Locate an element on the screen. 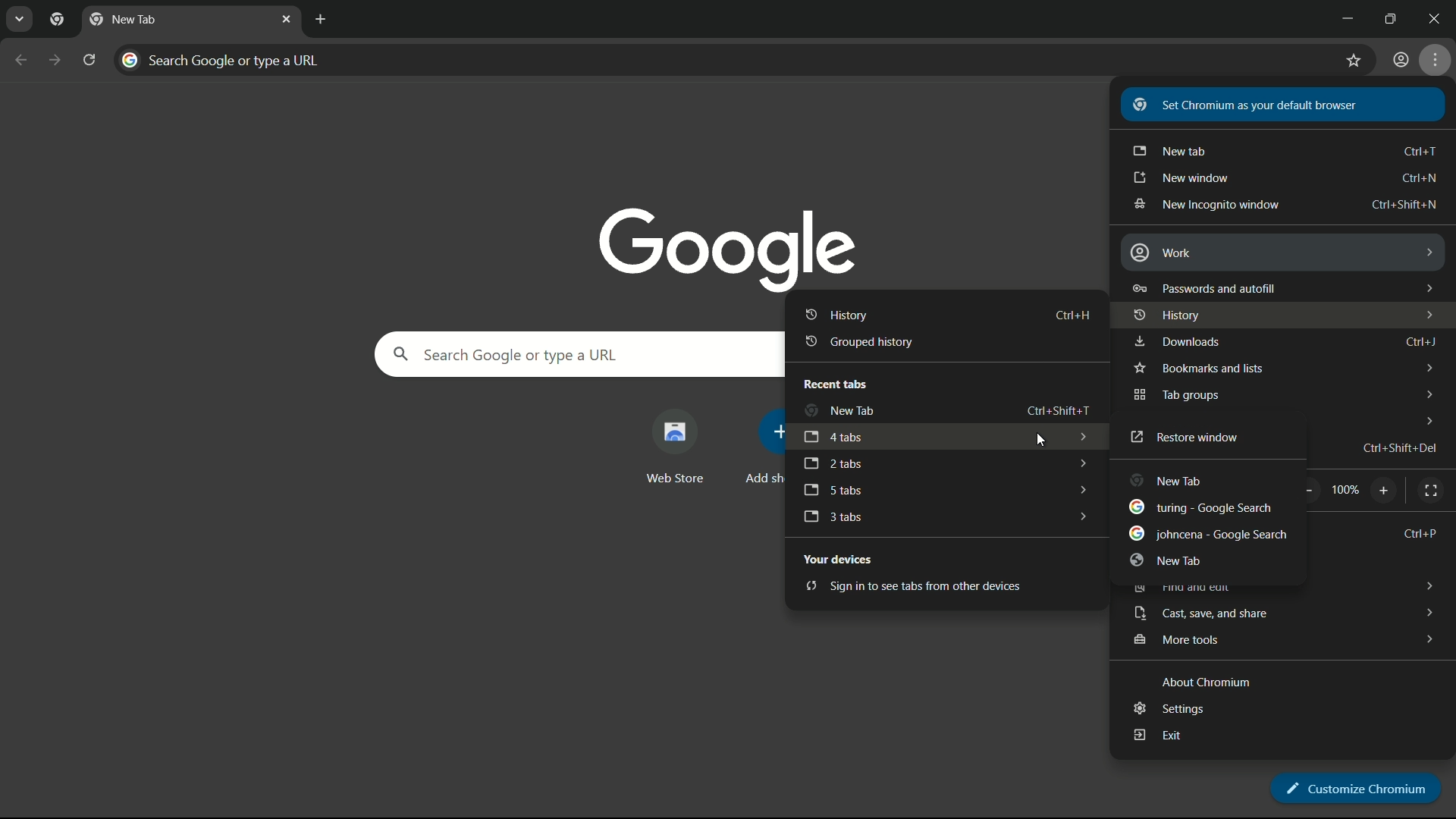  new incognito window is located at coordinates (1204, 206).